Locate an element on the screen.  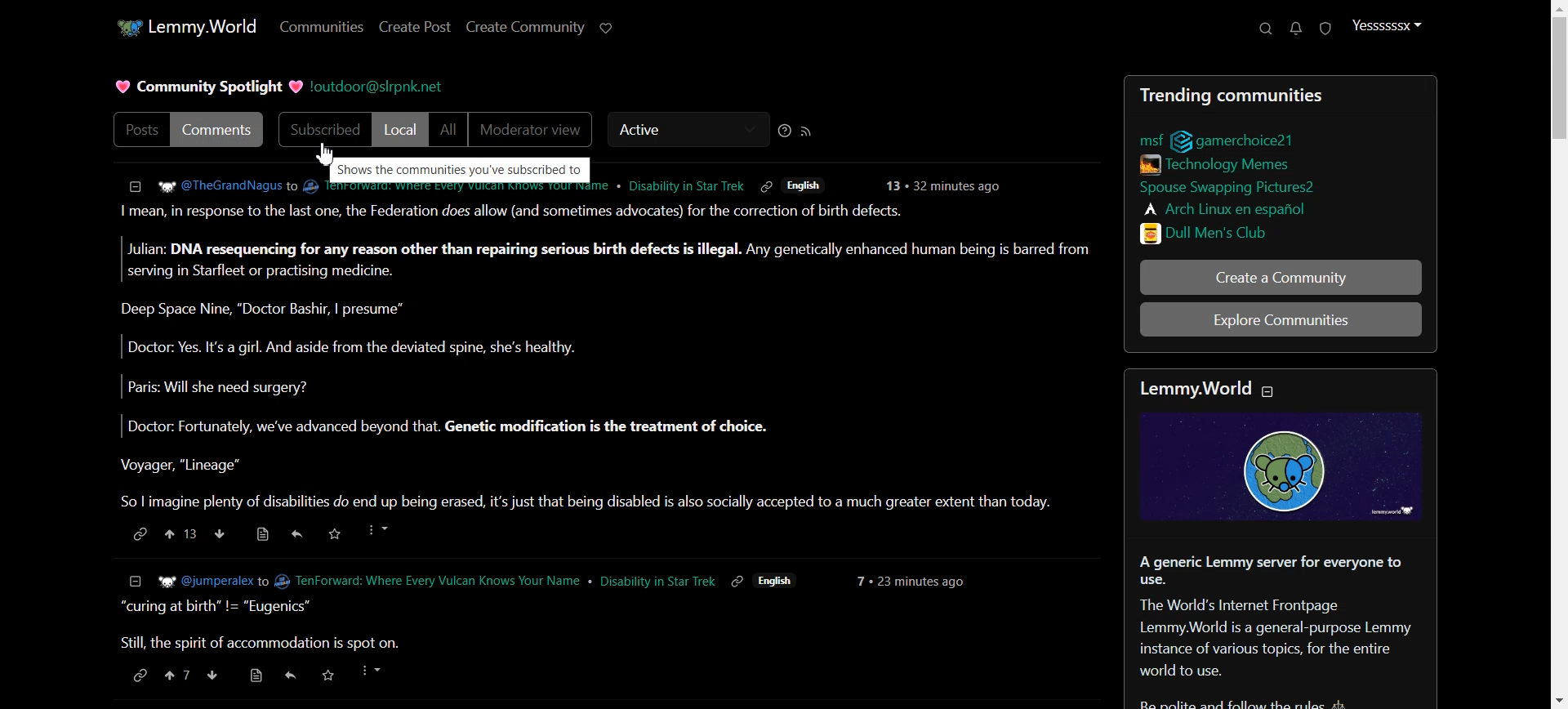
upvote is located at coordinates (181, 534).